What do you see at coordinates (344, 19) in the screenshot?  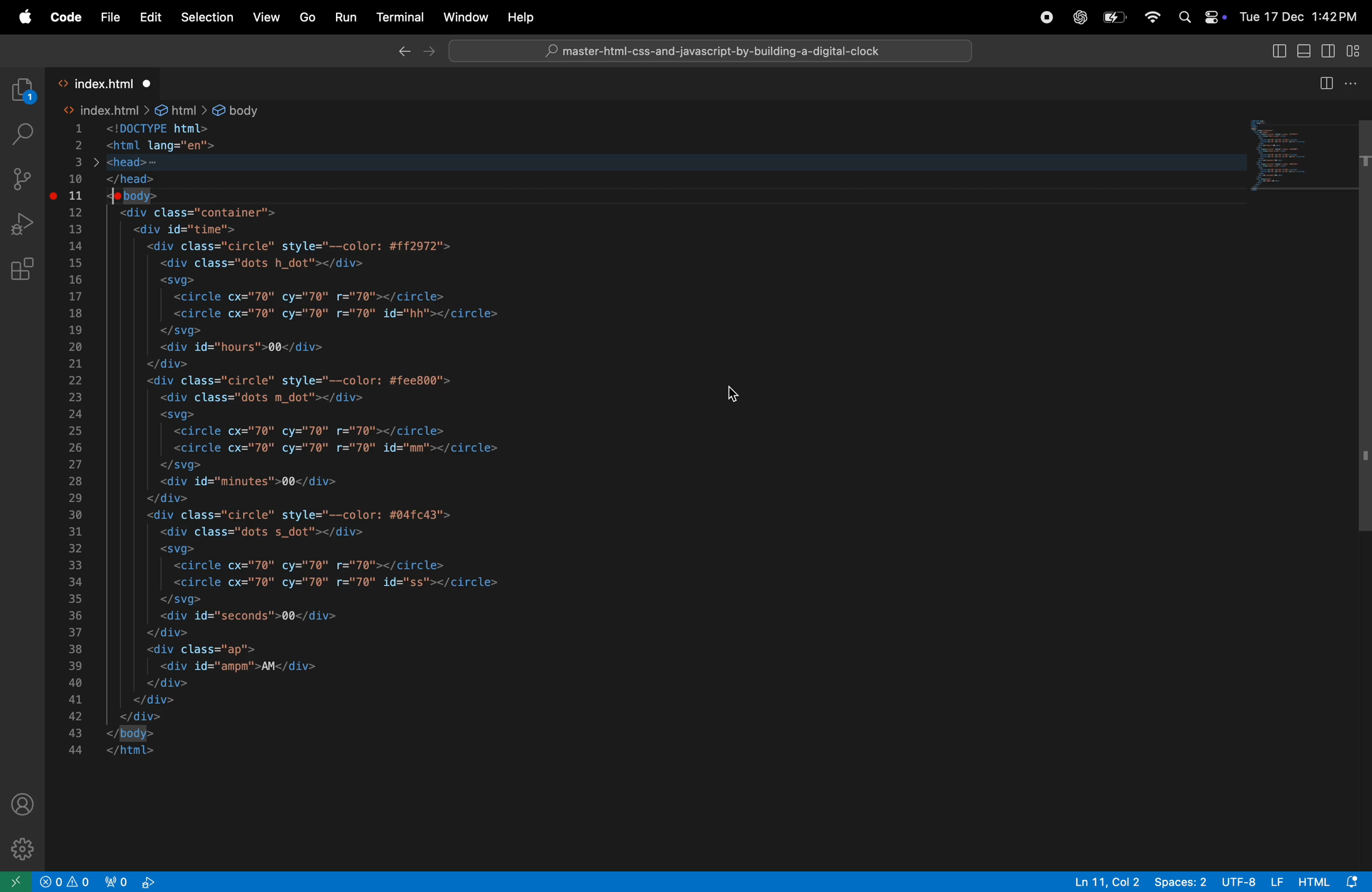 I see `run` at bounding box center [344, 19].